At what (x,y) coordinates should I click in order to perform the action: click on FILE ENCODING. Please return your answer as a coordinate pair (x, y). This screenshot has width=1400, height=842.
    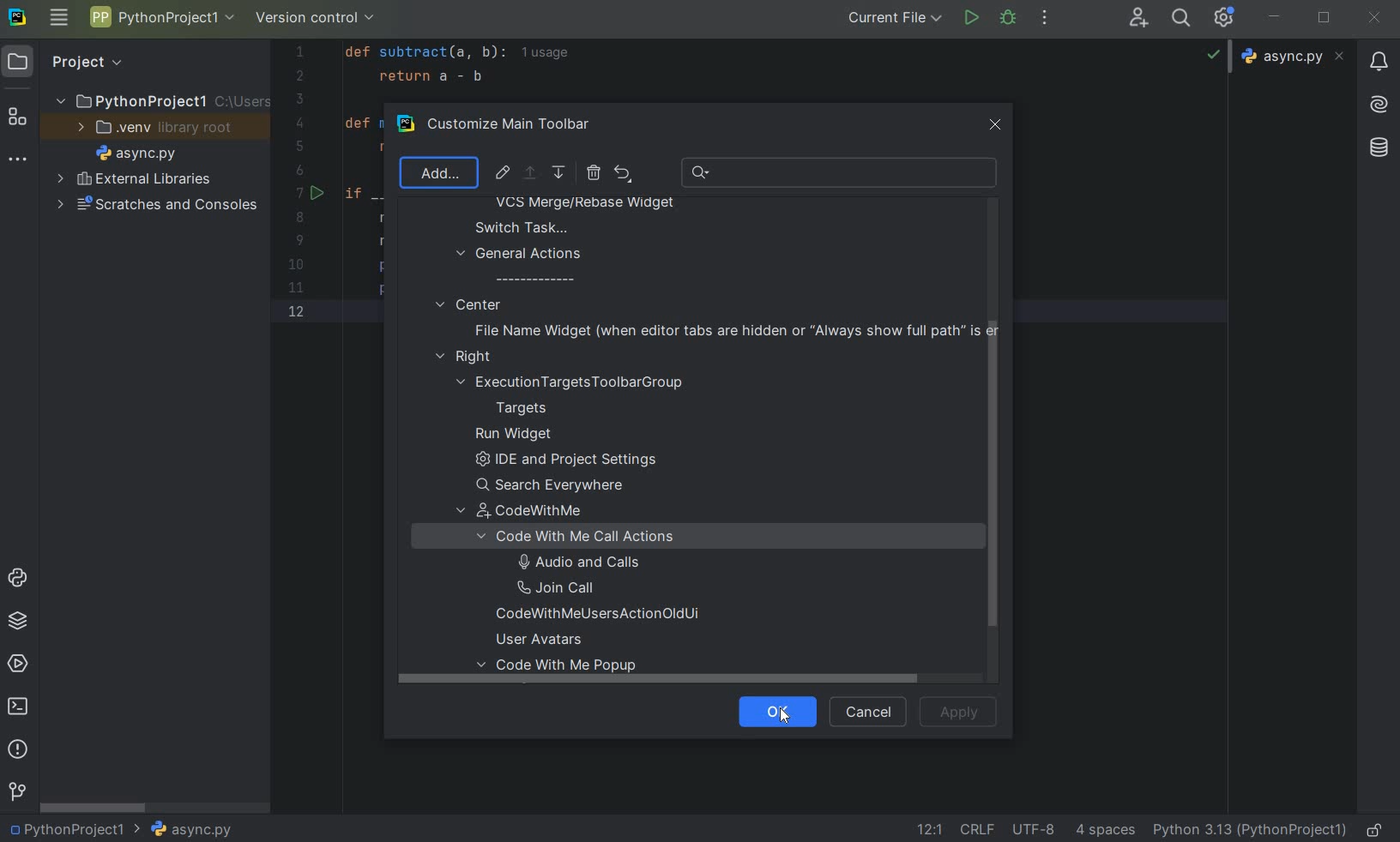
    Looking at the image, I should click on (1040, 829).